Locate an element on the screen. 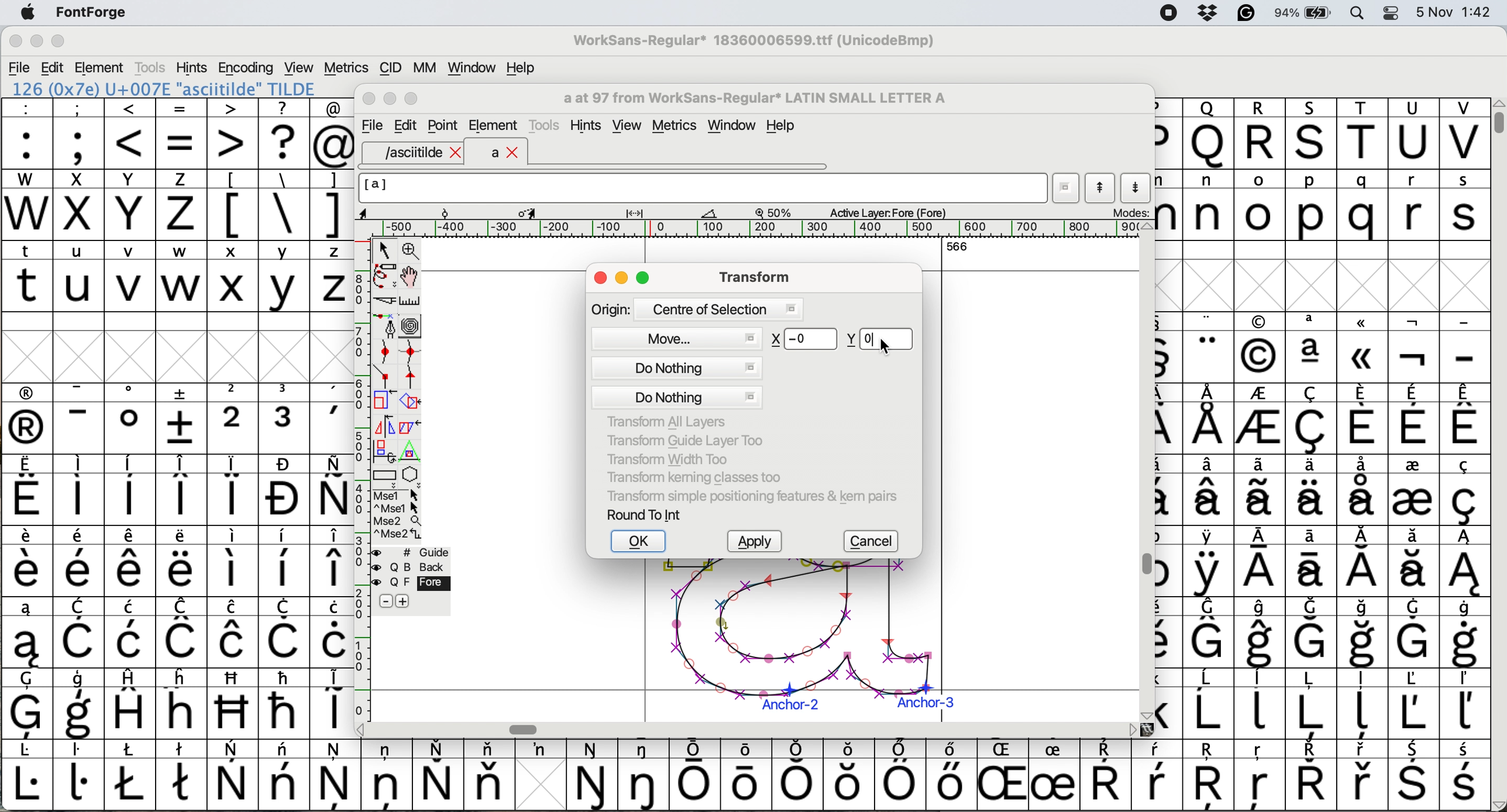 Image resolution: width=1507 pixels, height=812 pixels. symbol is located at coordinates (232, 632).